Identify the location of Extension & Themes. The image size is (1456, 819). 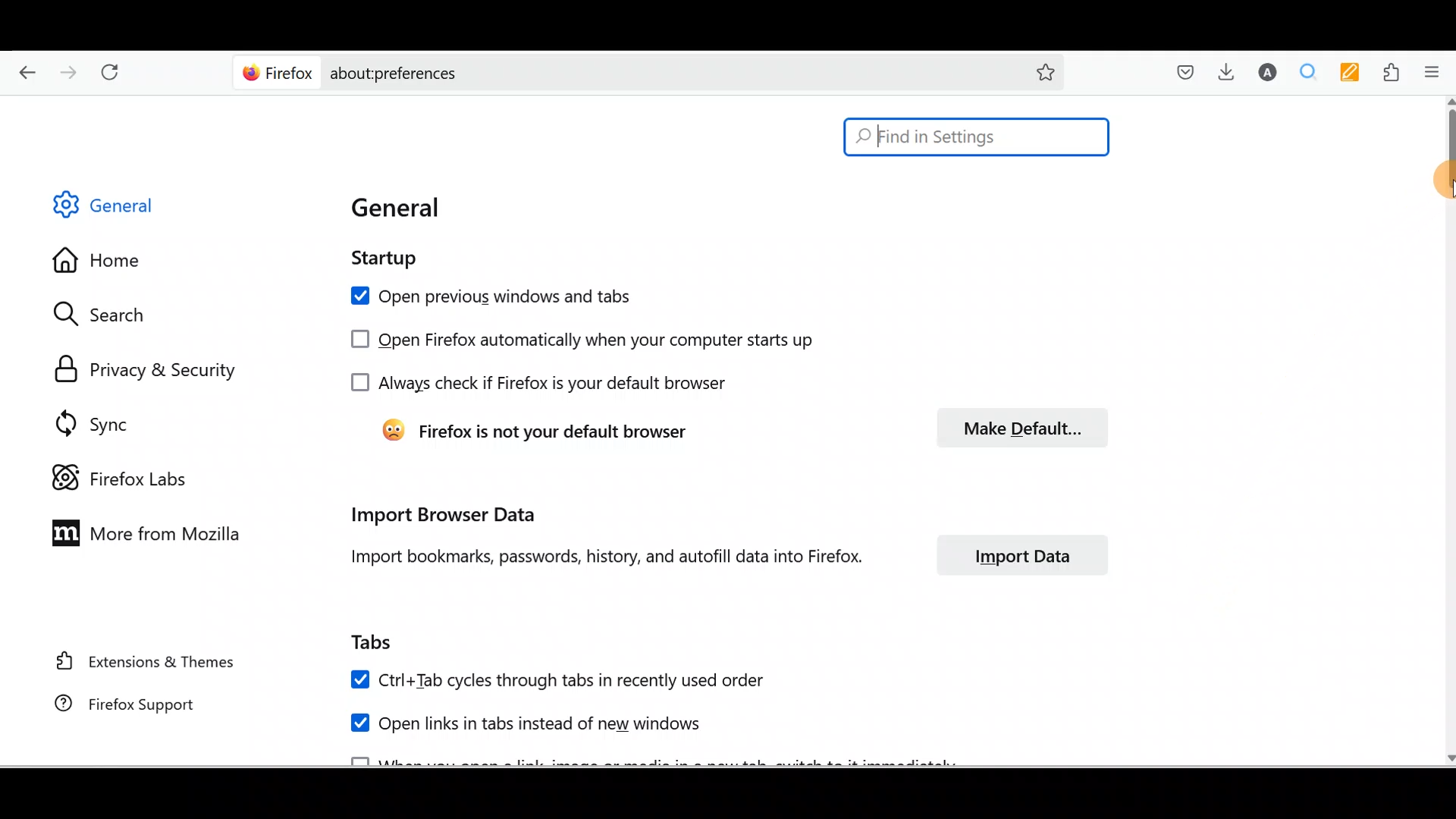
(138, 661).